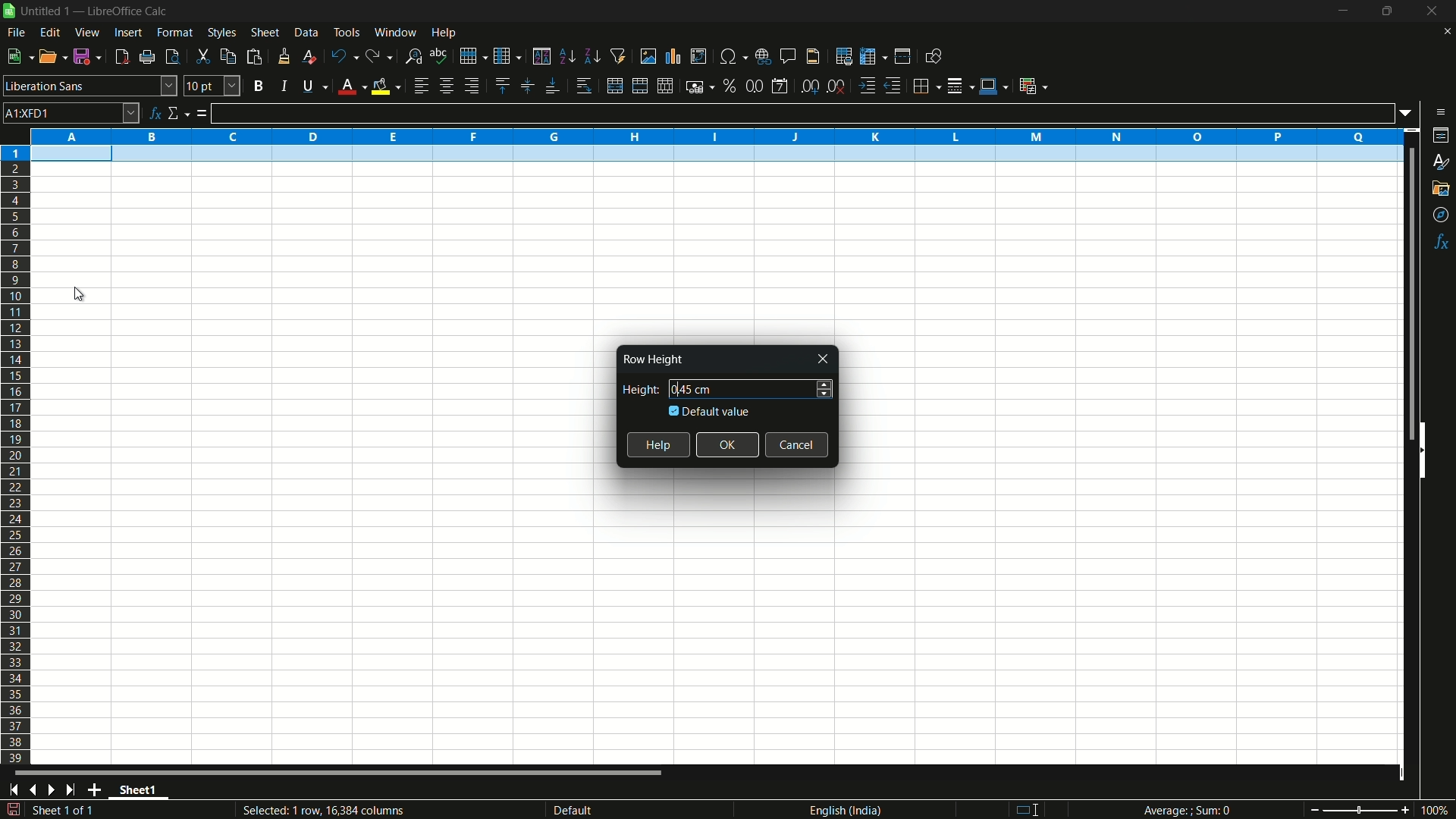 Image resolution: width=1456 pixels, height=819 pixels. Describe the element at coordinates (658, 445) in the screenshot. I see `help` at that location.